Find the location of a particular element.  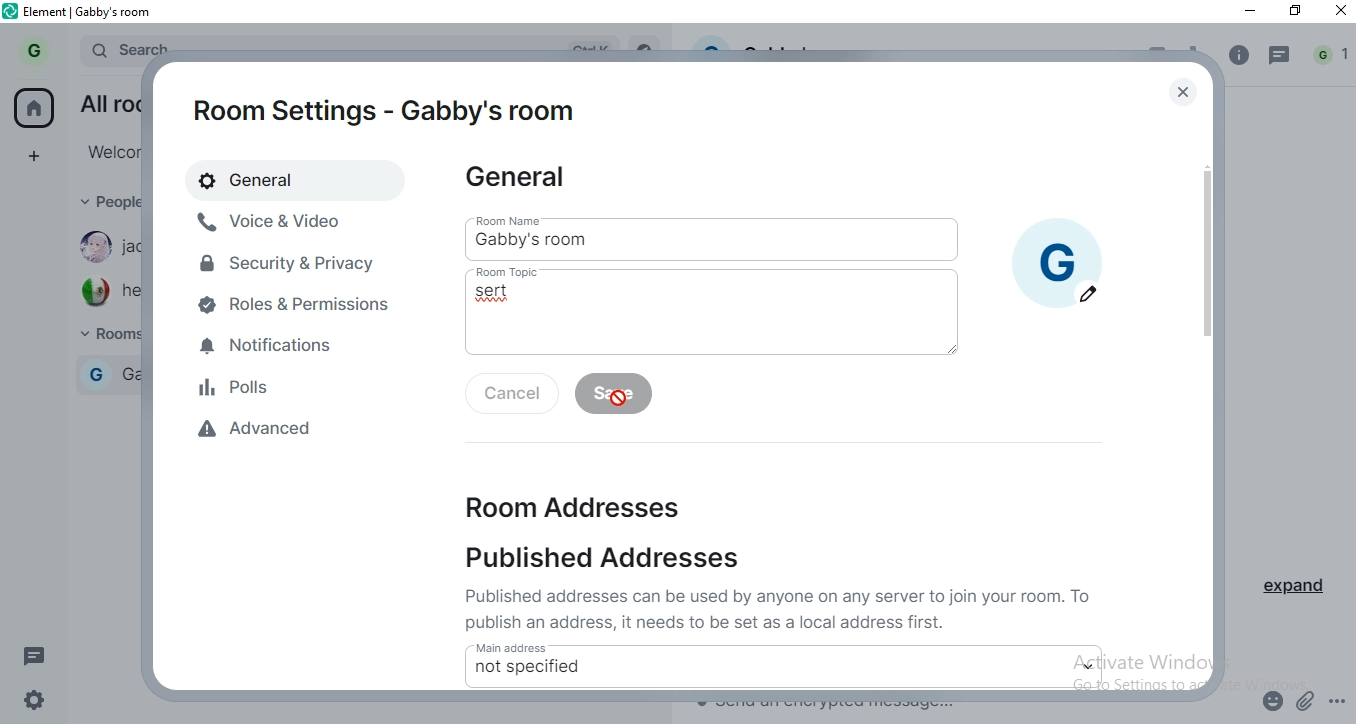

 is located at coordinates (1340, 697).